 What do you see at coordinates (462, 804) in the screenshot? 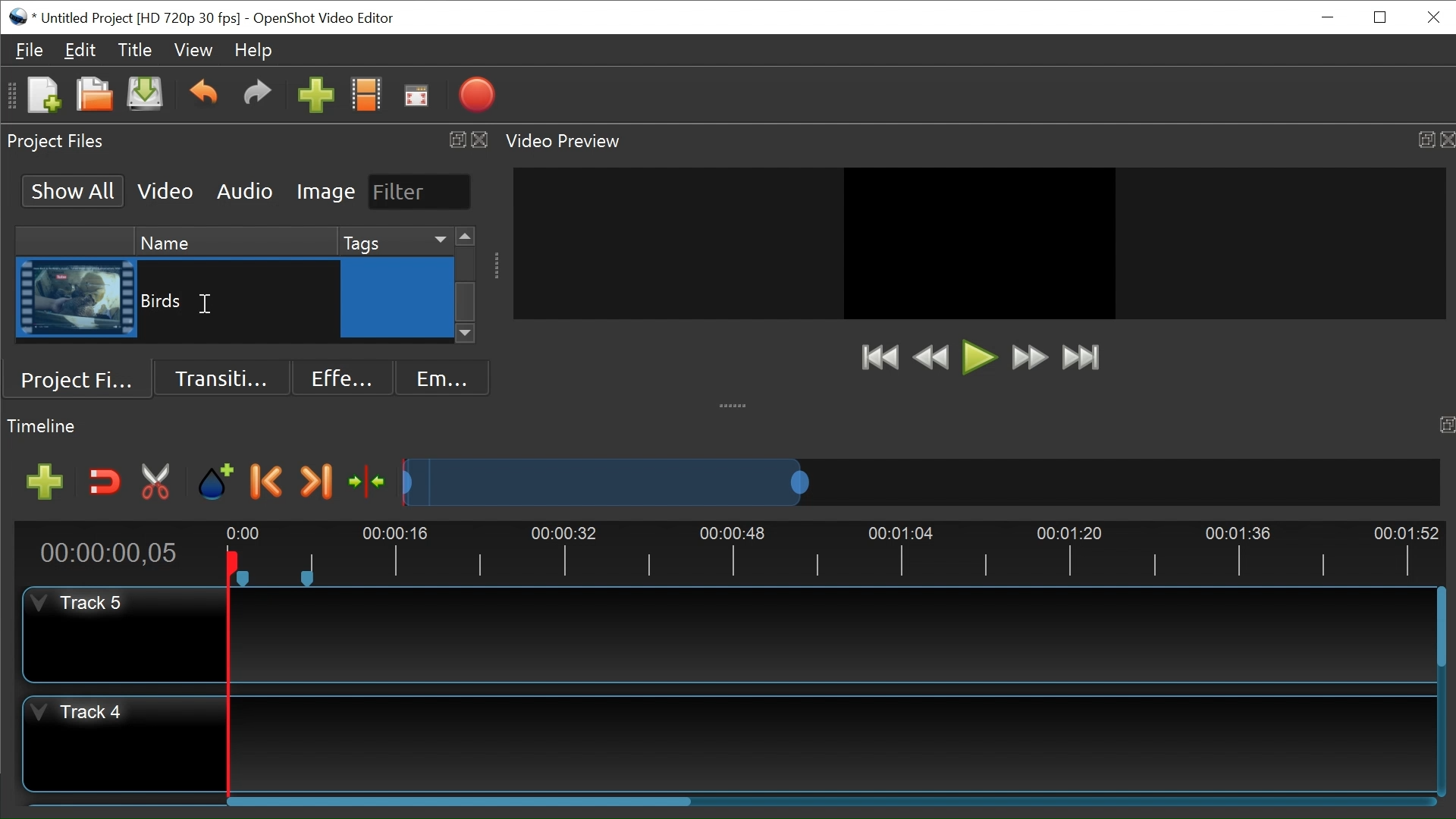
I see `Horizontal Scroll bar` at bounding box center [462, 804].